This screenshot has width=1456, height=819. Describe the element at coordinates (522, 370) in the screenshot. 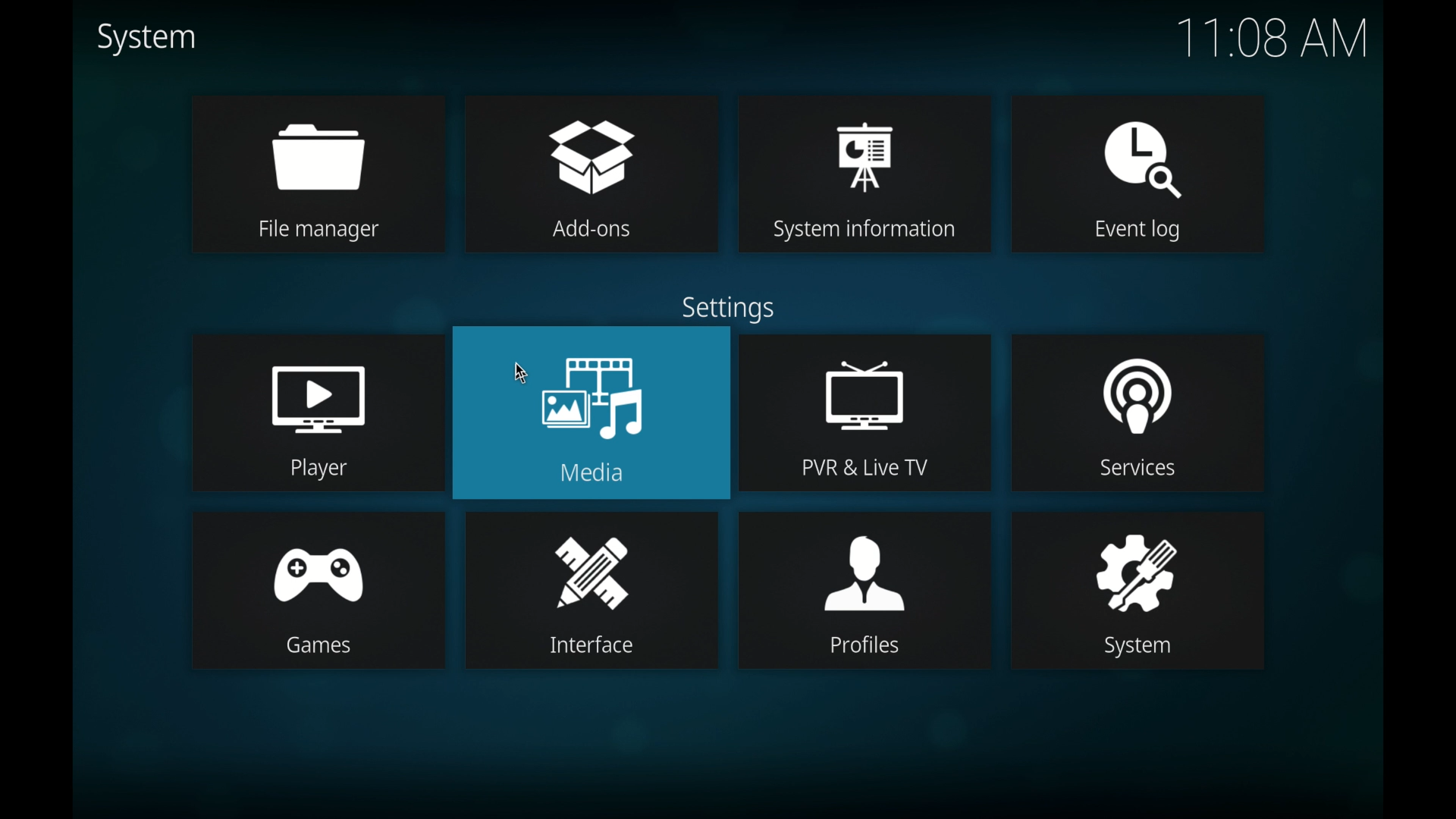

I see `cursor` at that location.